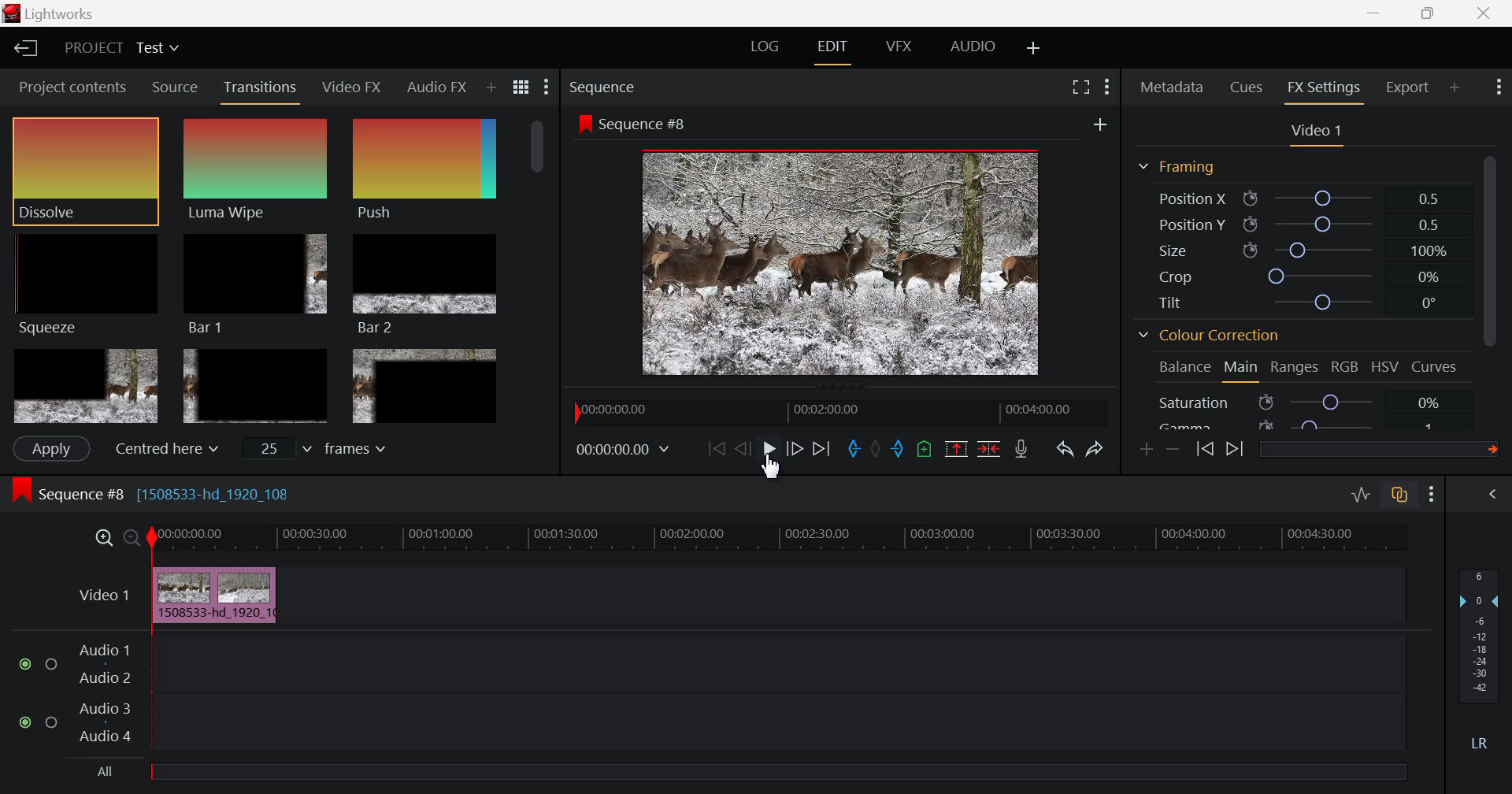  Describe the element at coordinates (1107, 87) in the screenshot. I see `Show settings` at that location.